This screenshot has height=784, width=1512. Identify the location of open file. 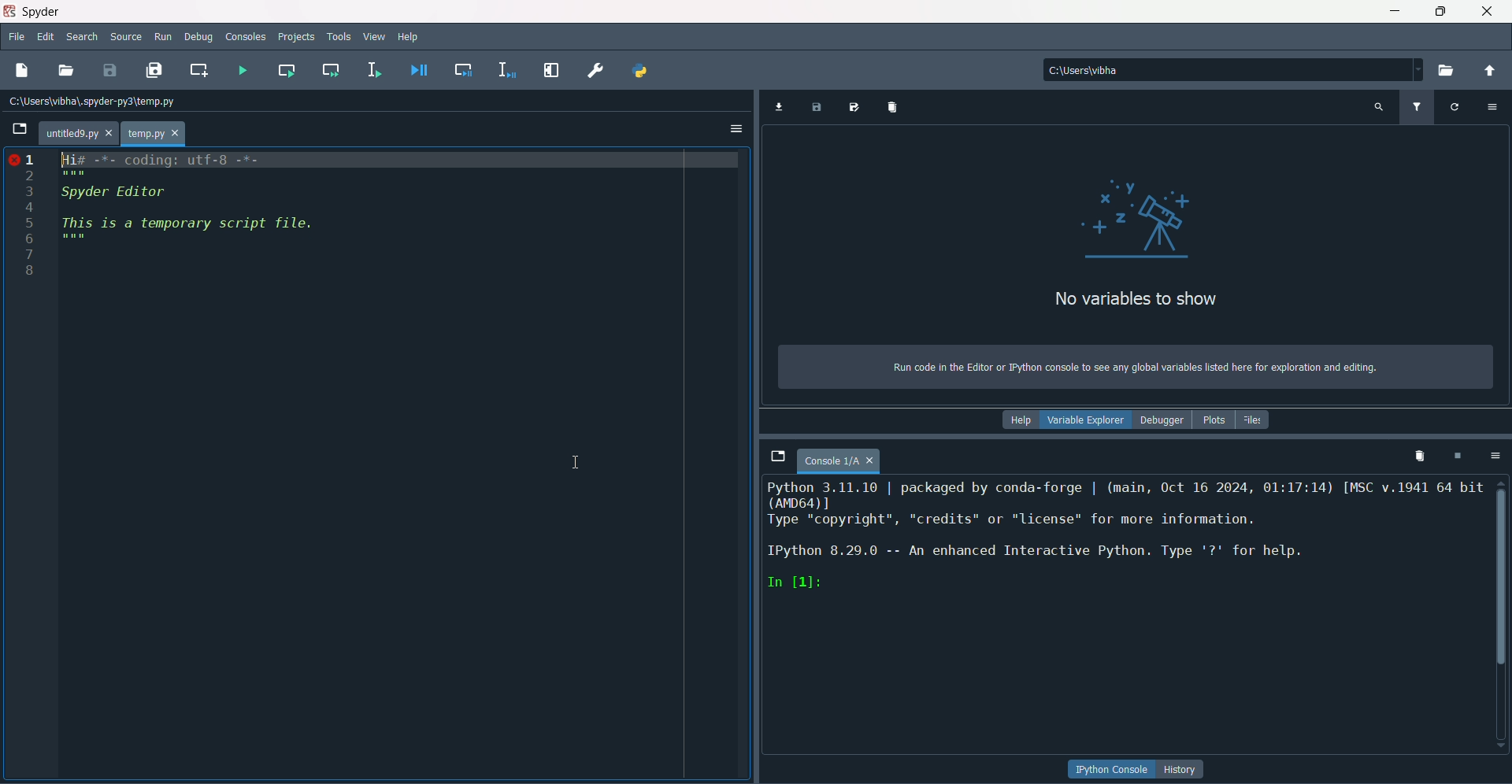
(68, 66).